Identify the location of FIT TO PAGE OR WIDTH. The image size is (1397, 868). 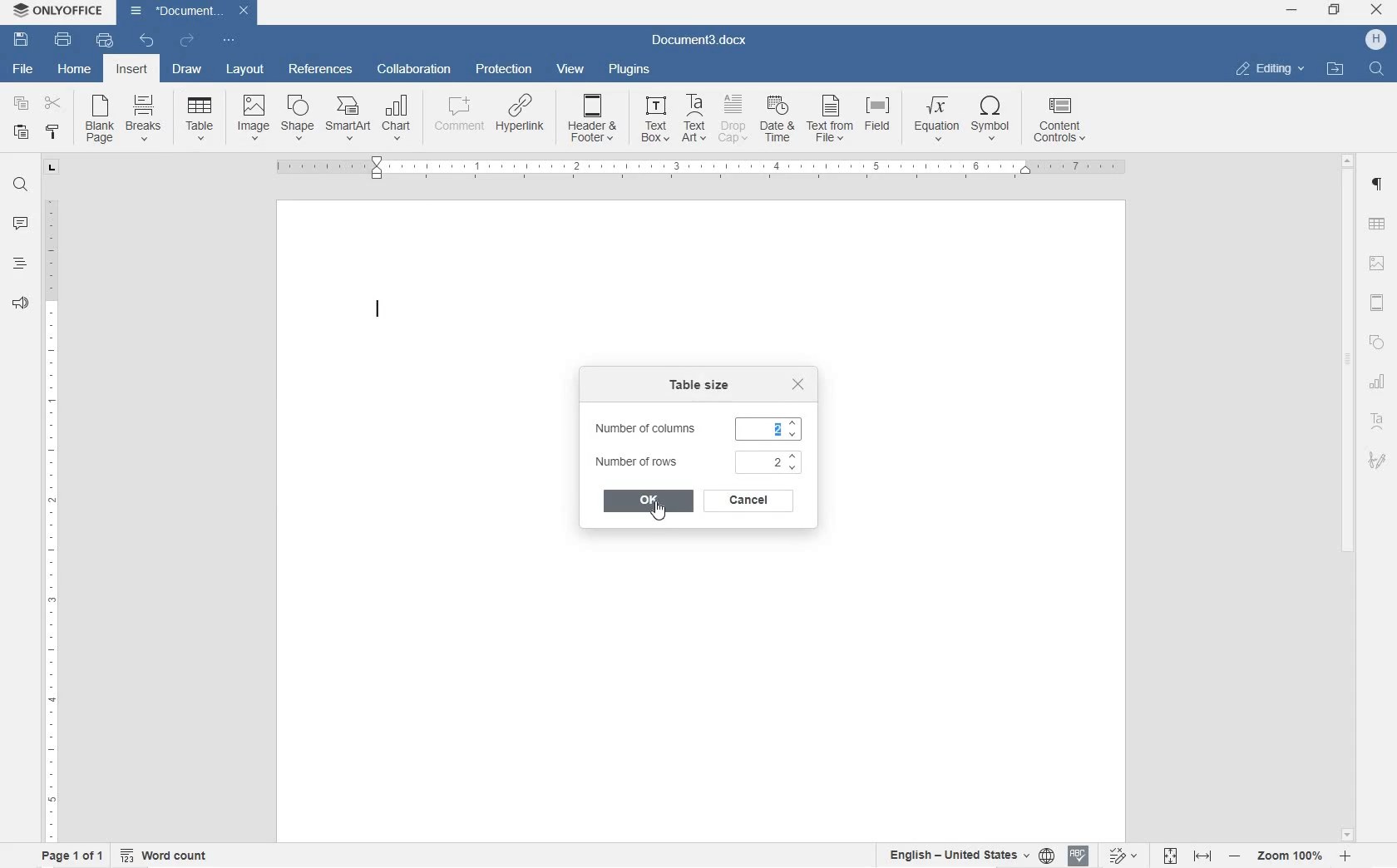
(1187, 857).